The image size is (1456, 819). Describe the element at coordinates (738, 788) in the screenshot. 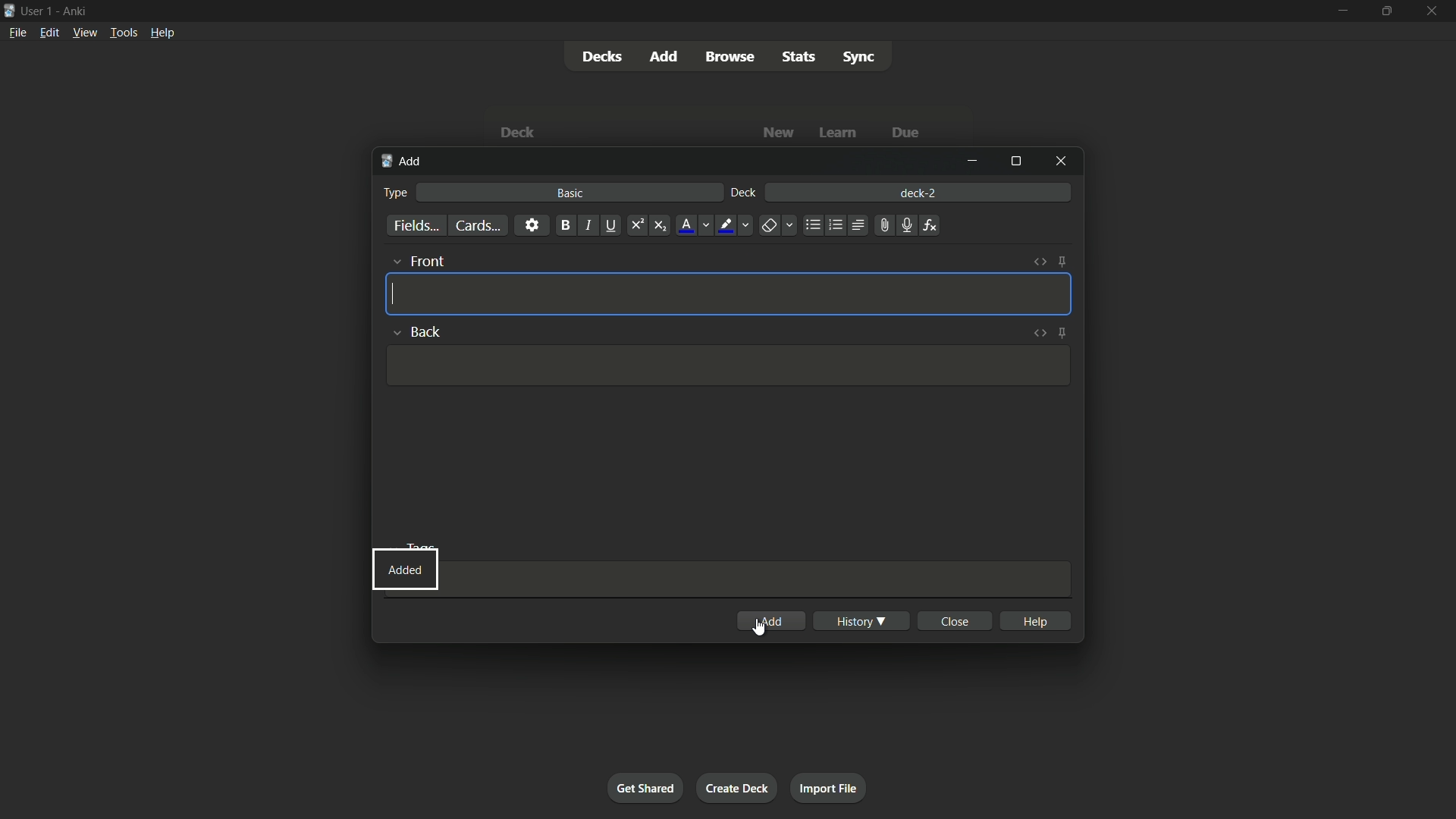

I see `create  deck` at that location.